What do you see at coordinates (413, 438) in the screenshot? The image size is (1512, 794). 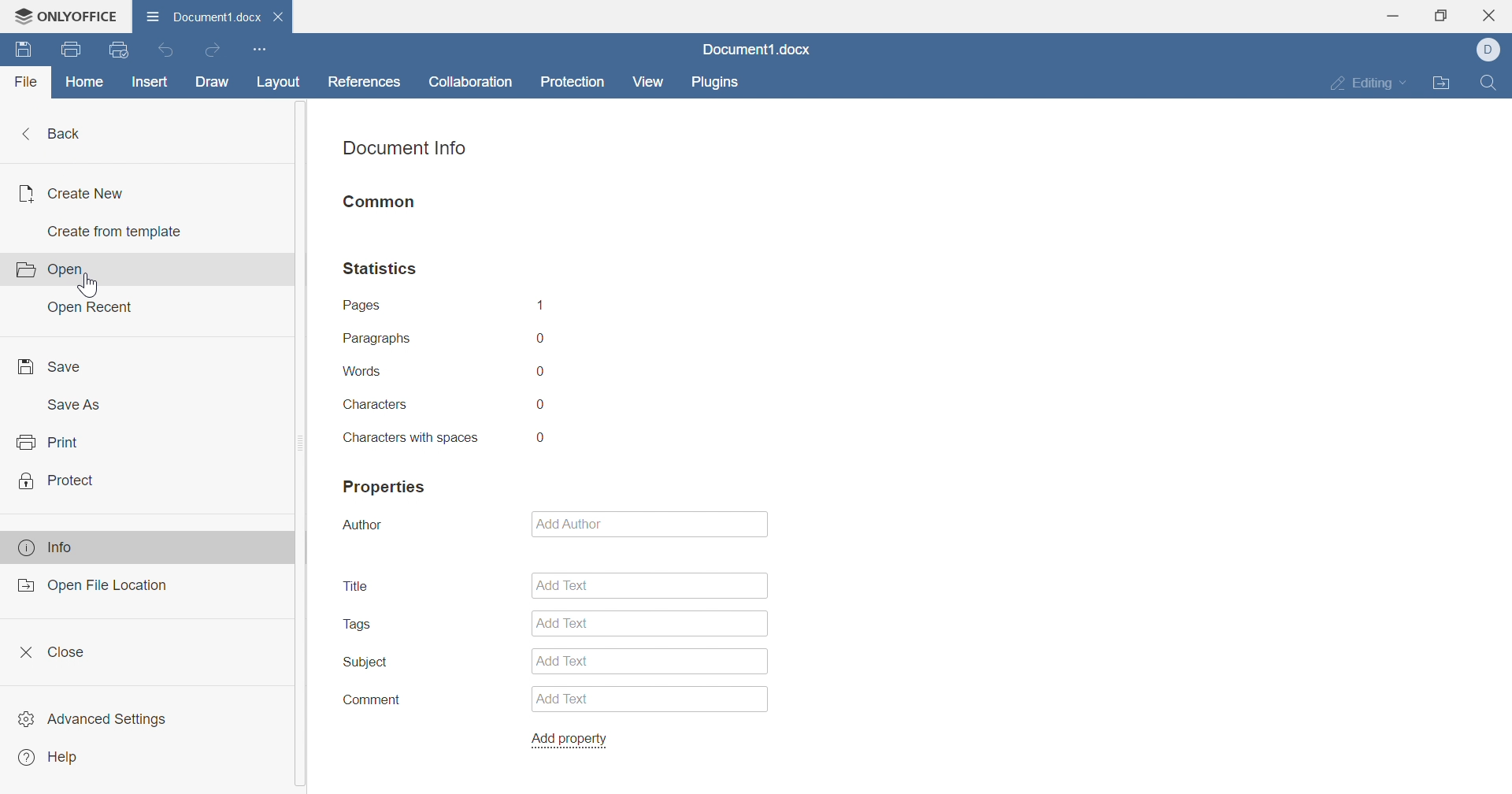 I see `characters with spaces` at bounding box center [413, 438].